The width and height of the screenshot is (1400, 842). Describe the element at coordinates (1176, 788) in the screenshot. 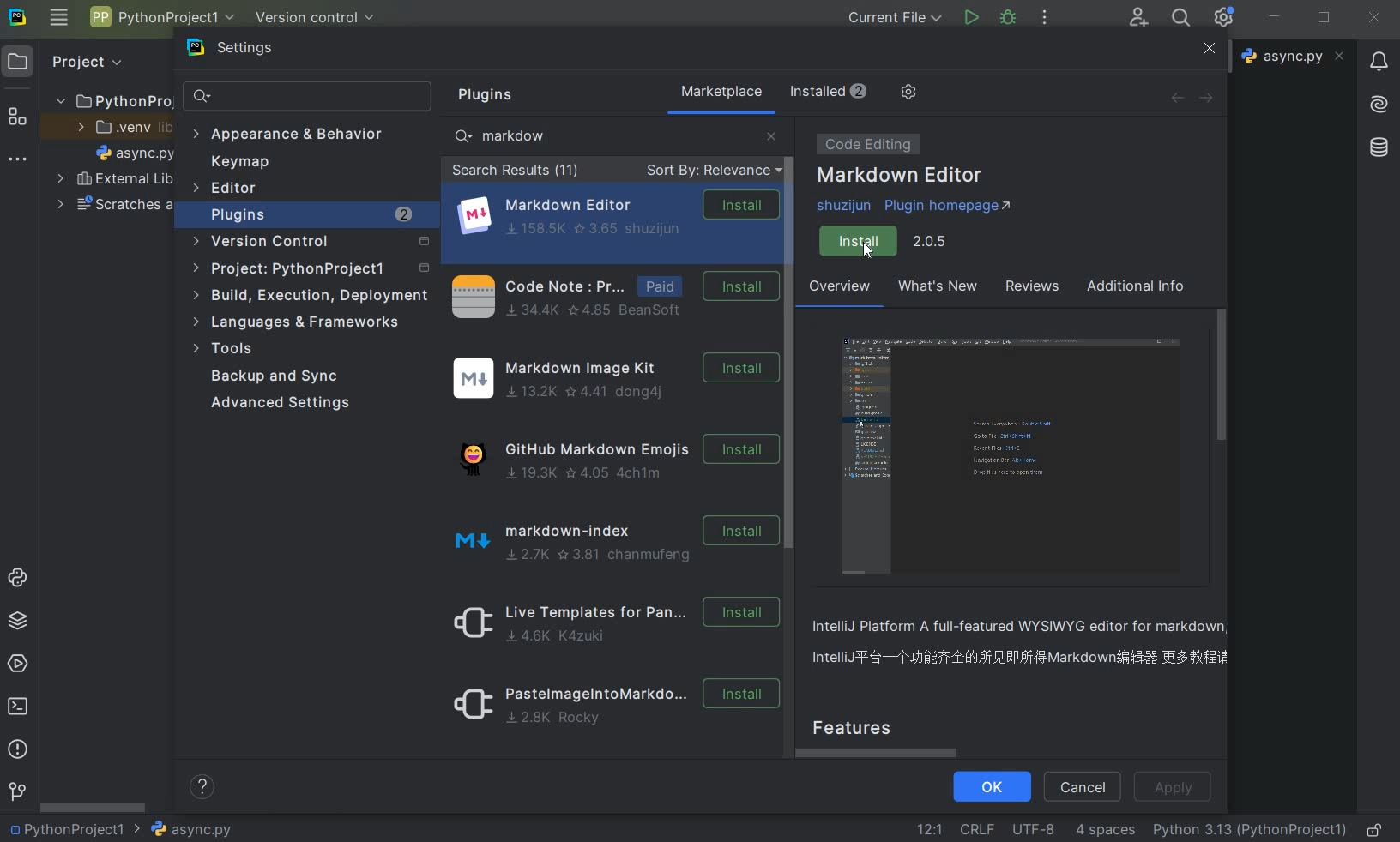

I see `apply` at that location.